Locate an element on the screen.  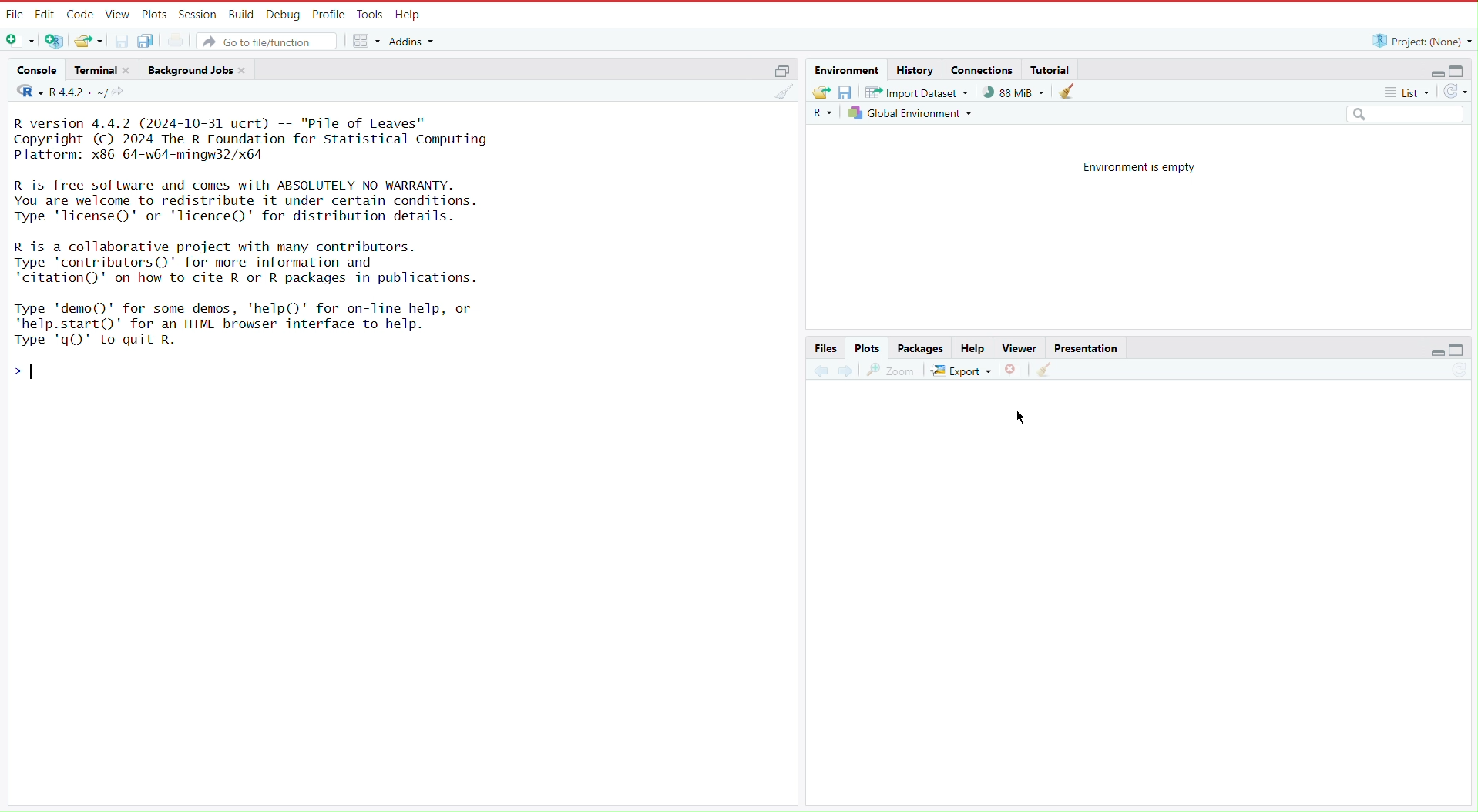
Tutorial is located at coordinates (1053, 69).